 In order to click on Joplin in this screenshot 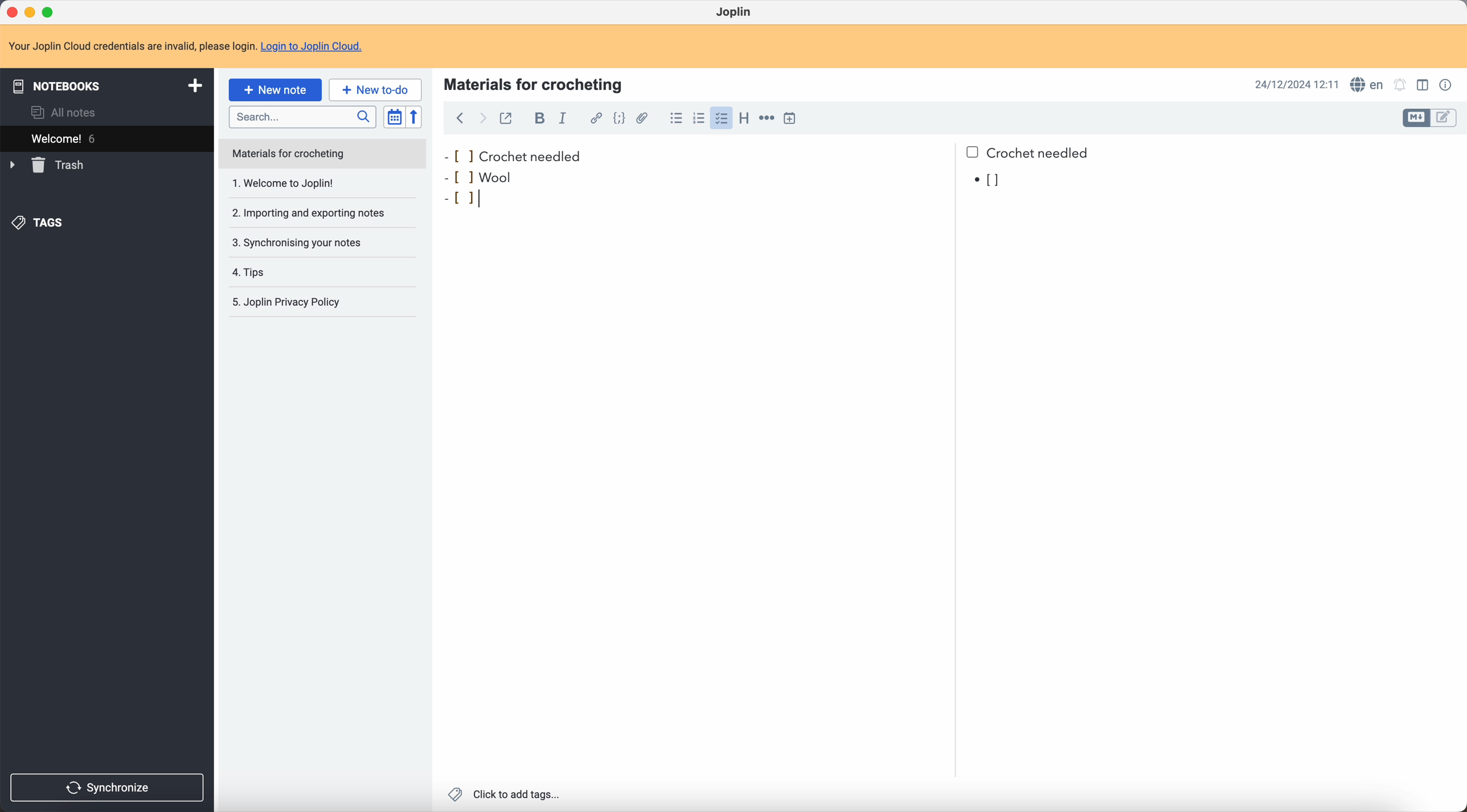, I will do `click(735, 13)`.